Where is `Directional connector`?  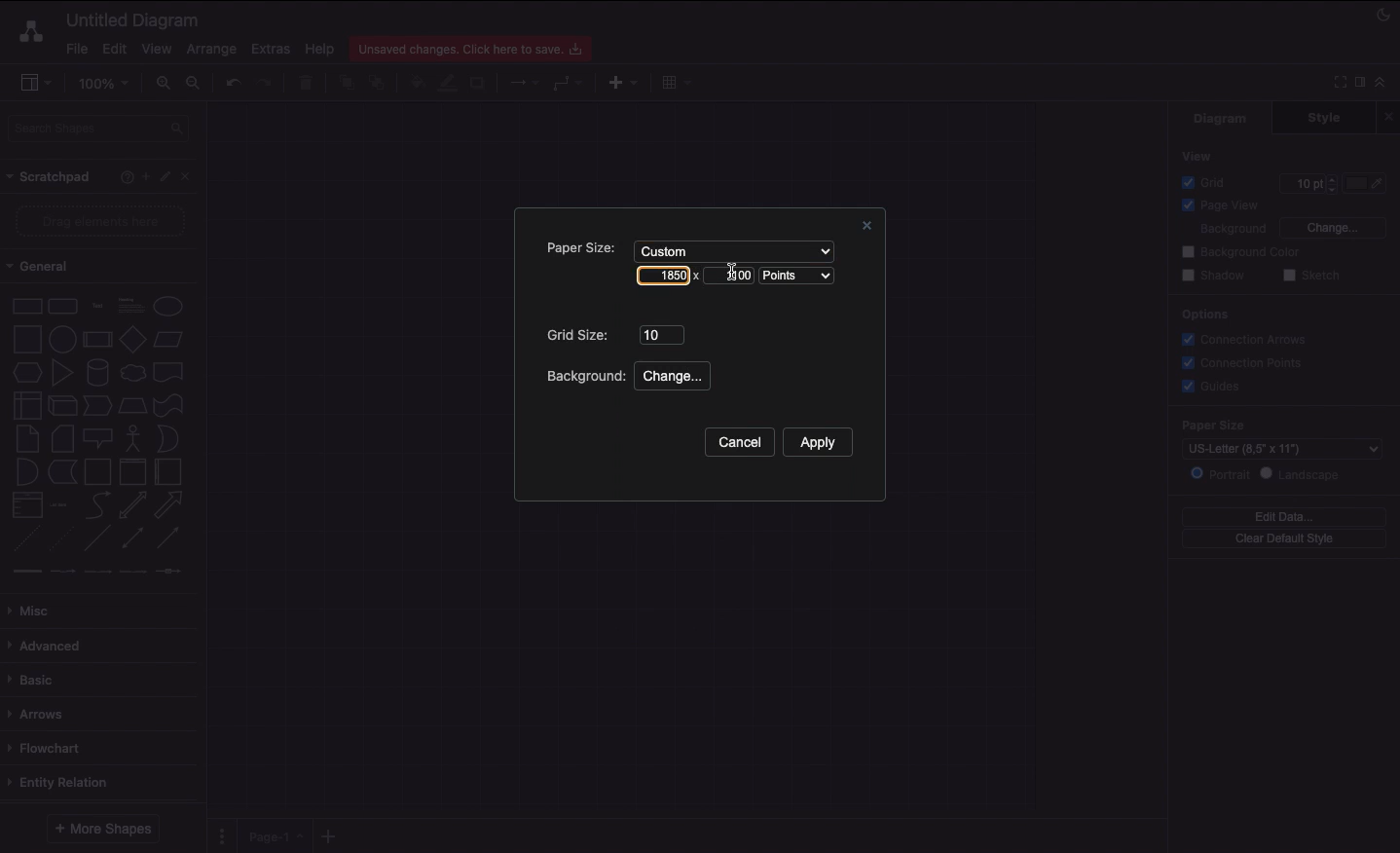
Directional connector is located at coordinates (171, 538).